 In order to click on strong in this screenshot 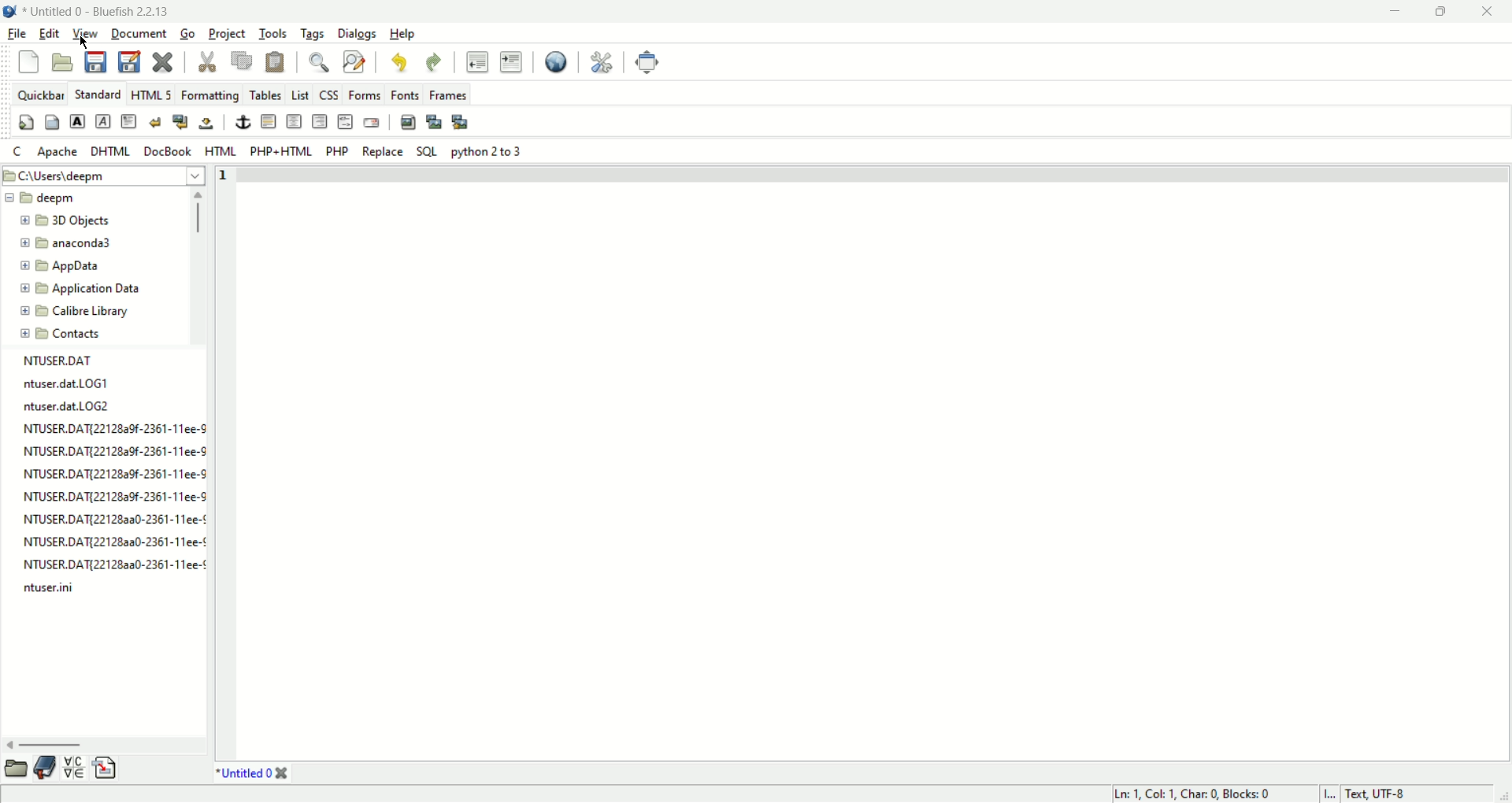, I will do `click(78, 123)`.